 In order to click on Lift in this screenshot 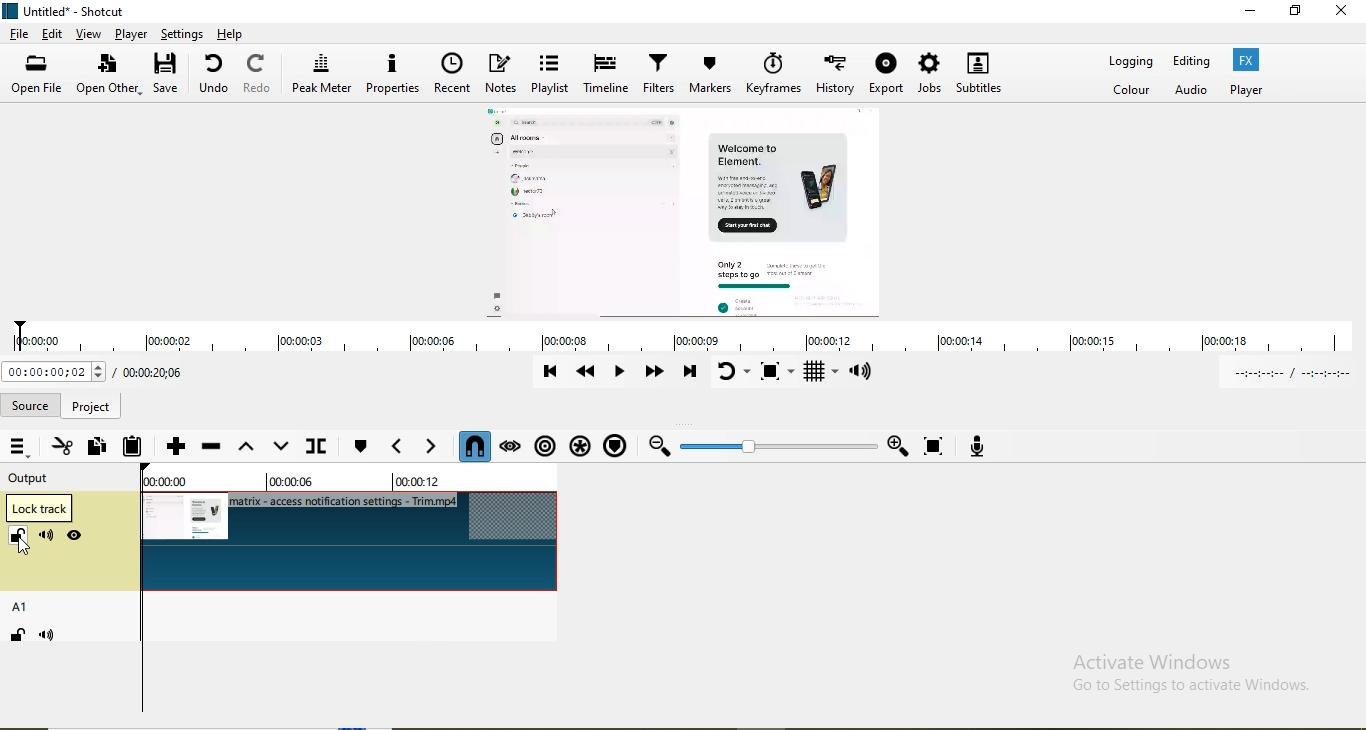, I will do `click(246, 449)`.